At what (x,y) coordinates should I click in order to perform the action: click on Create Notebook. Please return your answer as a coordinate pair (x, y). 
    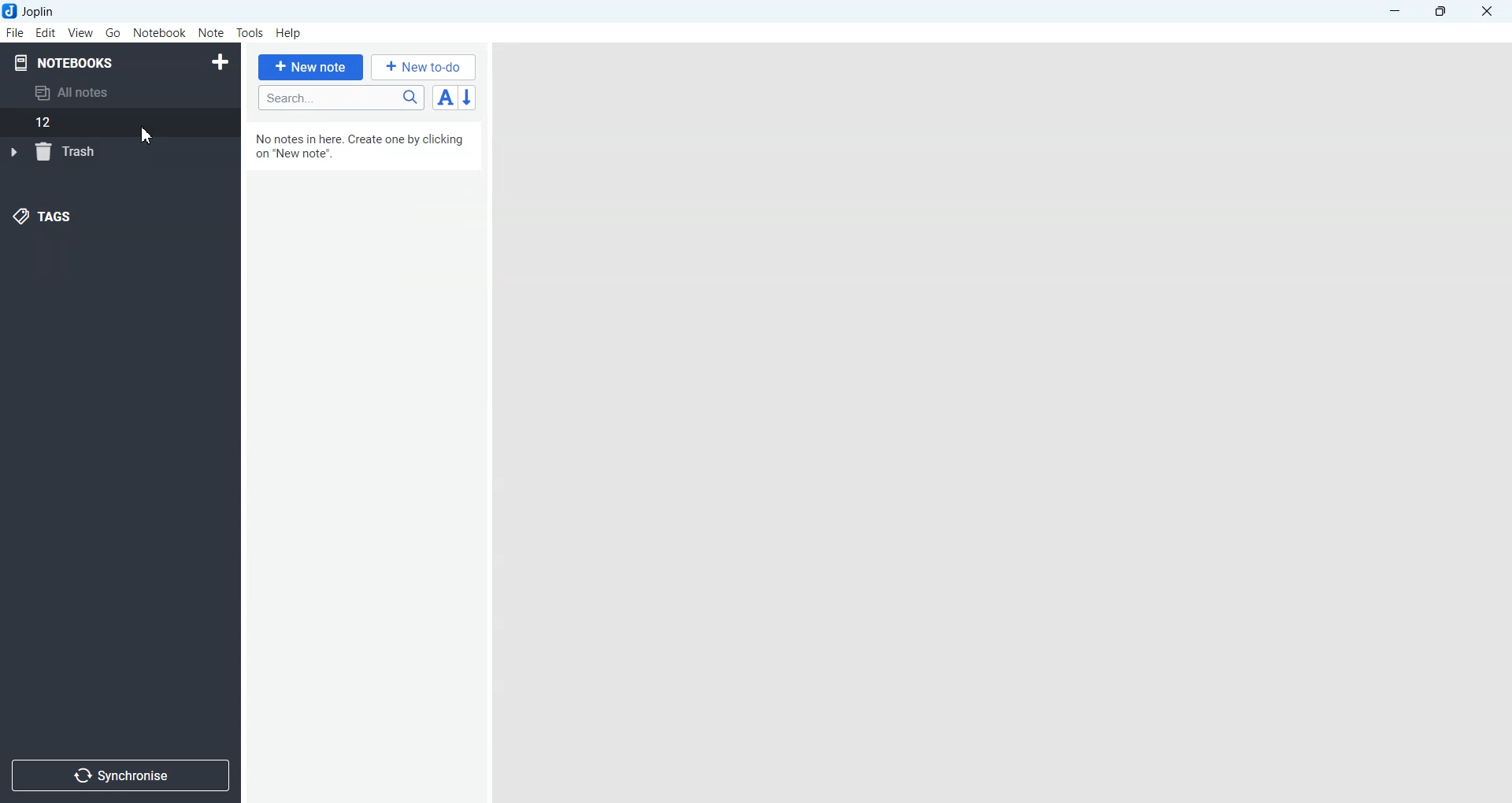
    Looking at the image, I should click on (221, 60).